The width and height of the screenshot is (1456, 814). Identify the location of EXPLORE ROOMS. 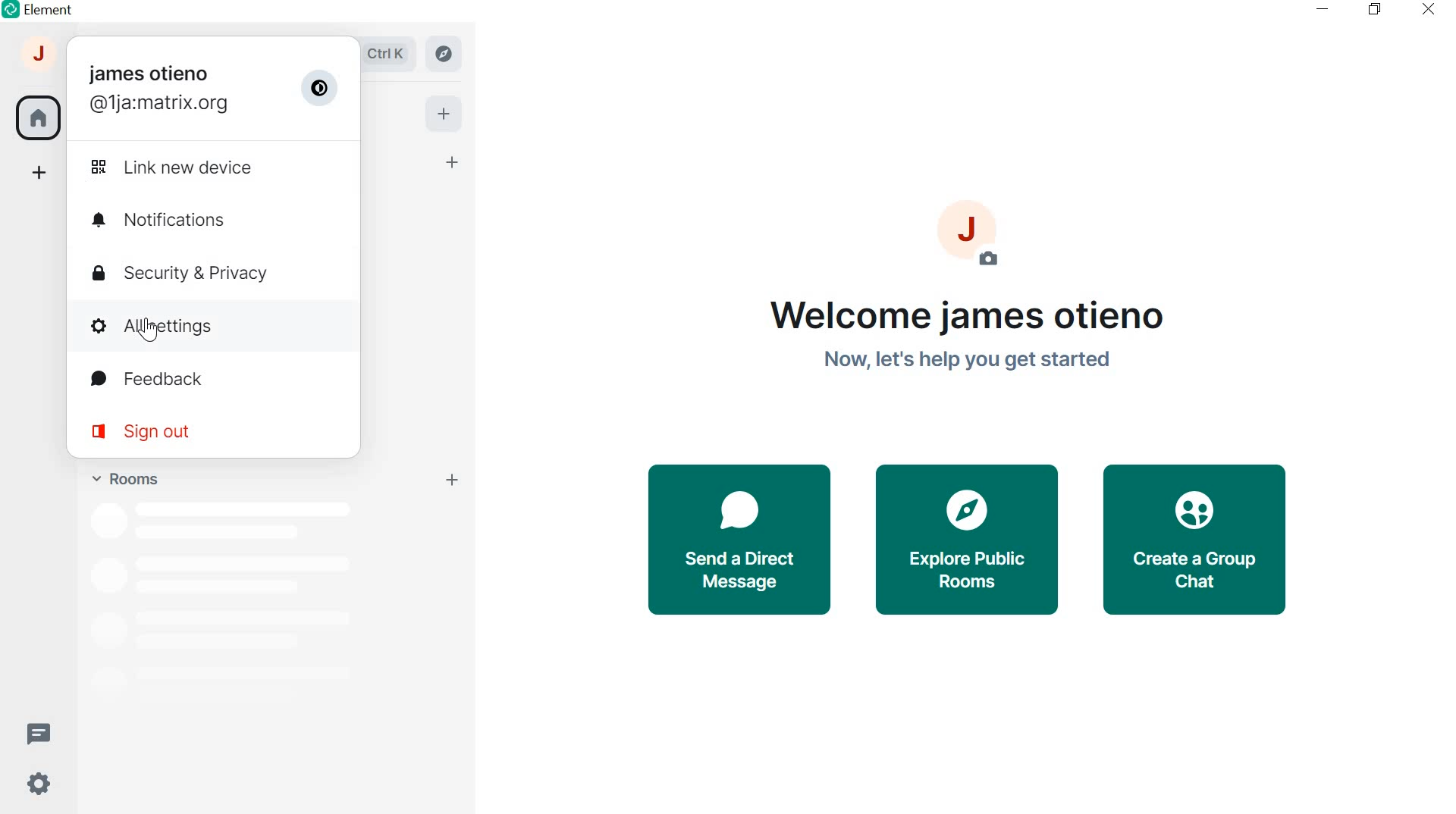
(445, 54).